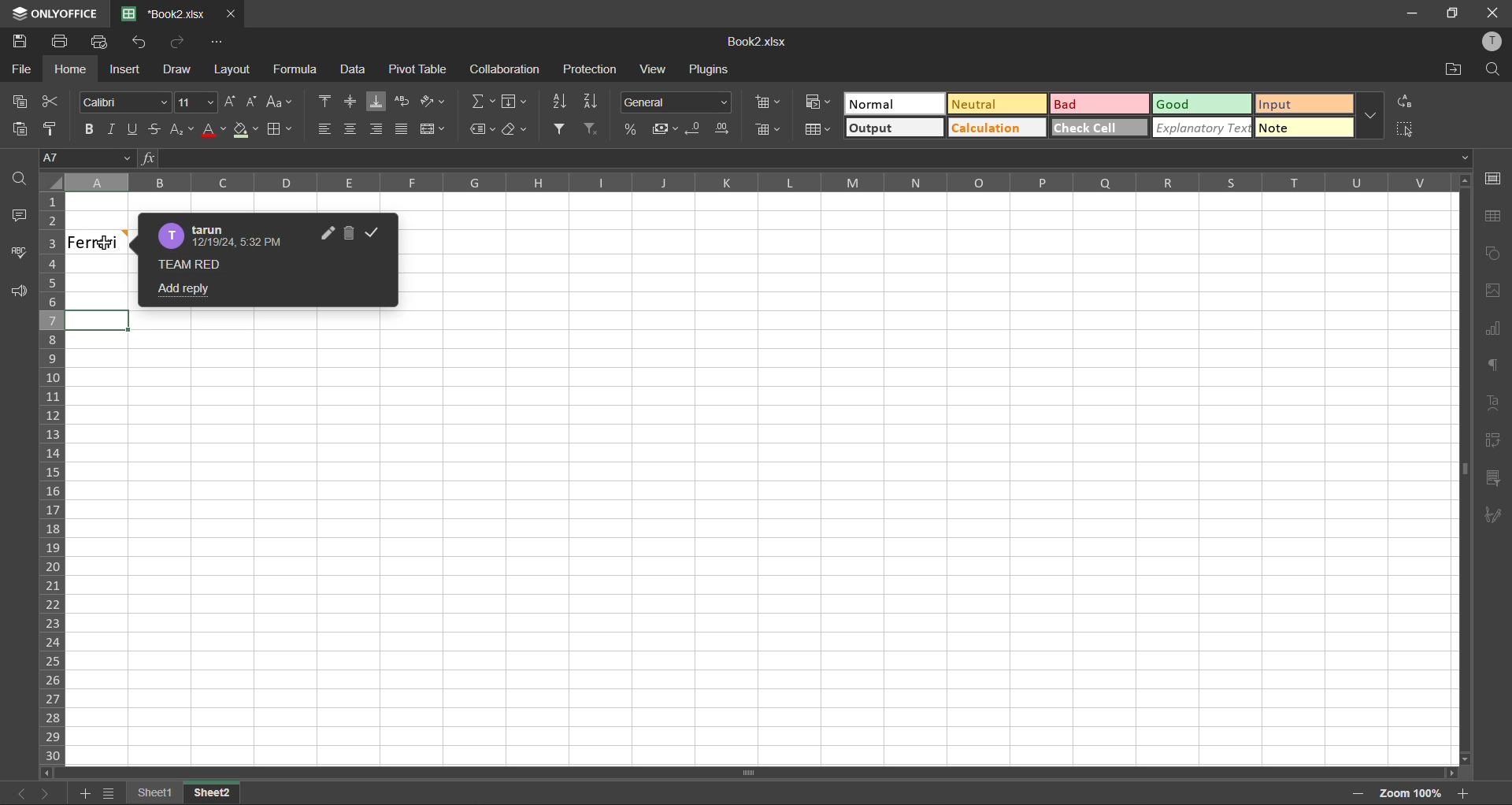 The image size is (1512, 805). What do you see at coordinates (1493, 513) in the screenshot?
I see `signature` at bounding box center [1493, 513].